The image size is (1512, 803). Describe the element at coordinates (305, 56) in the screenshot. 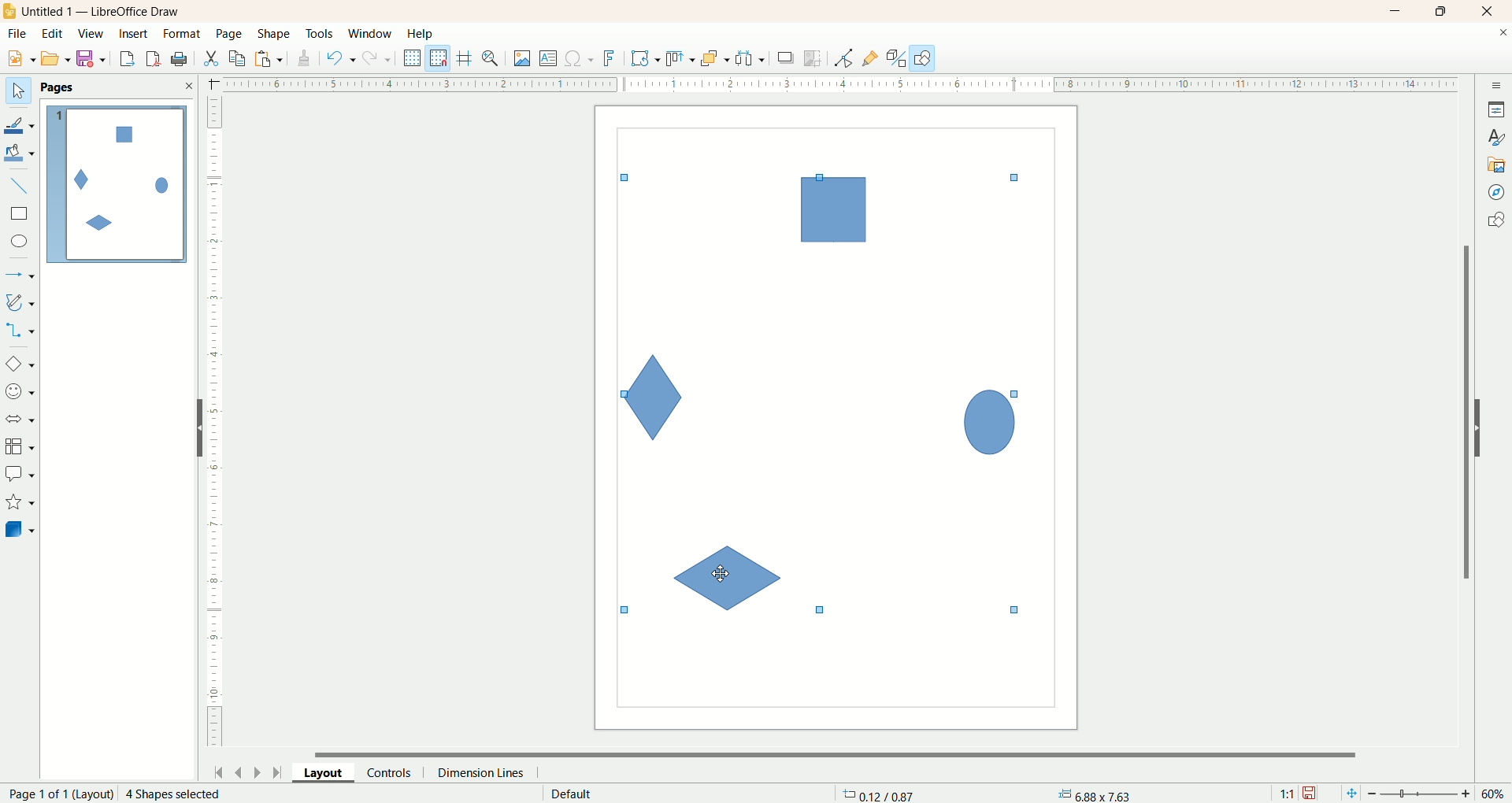

I see `clone formatting` at that location.